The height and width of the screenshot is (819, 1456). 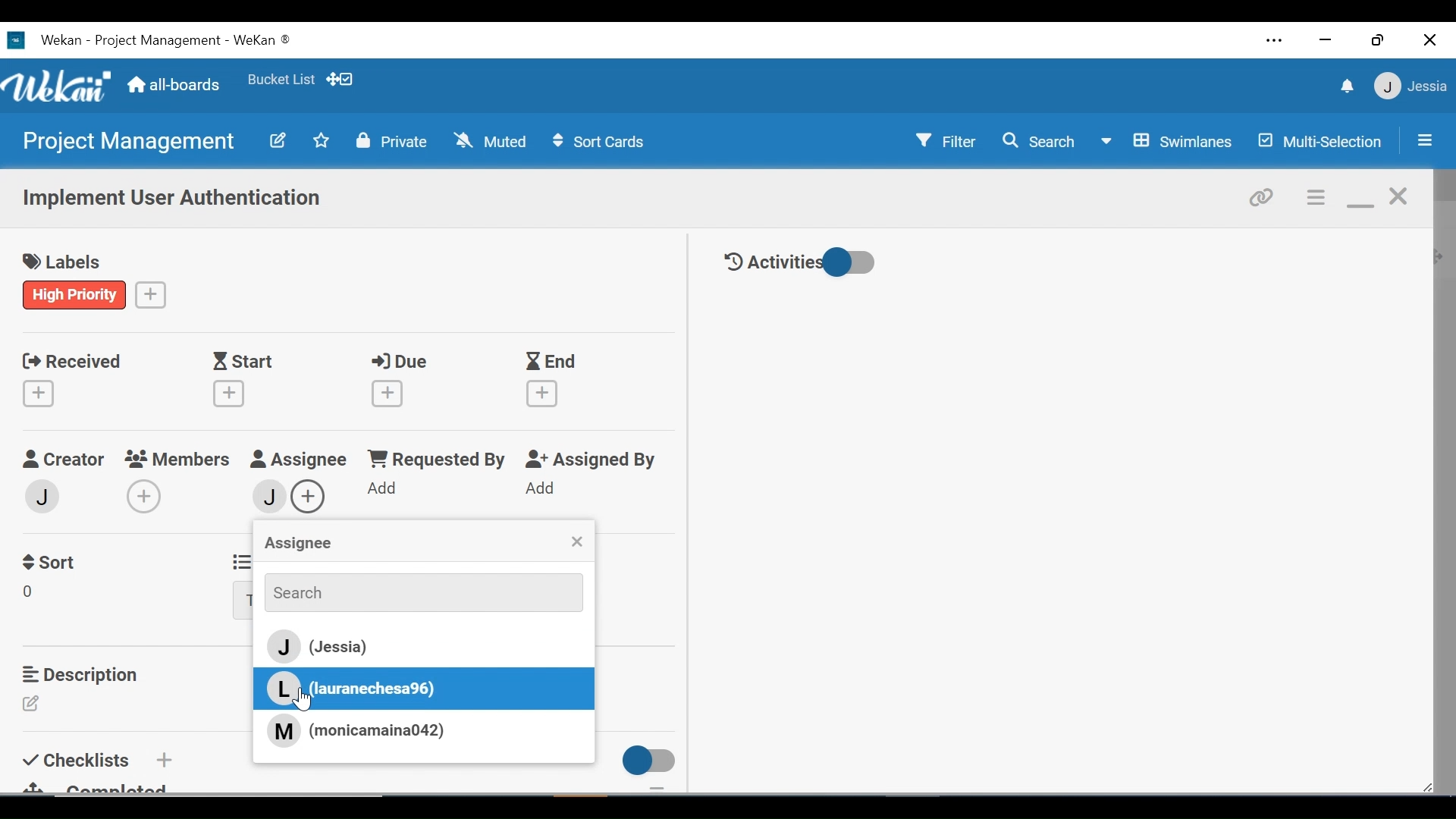 What do you see at coordinates (313, 494) in the screenshot?
I see `Add Assignee` at bounding box center [313, 494].